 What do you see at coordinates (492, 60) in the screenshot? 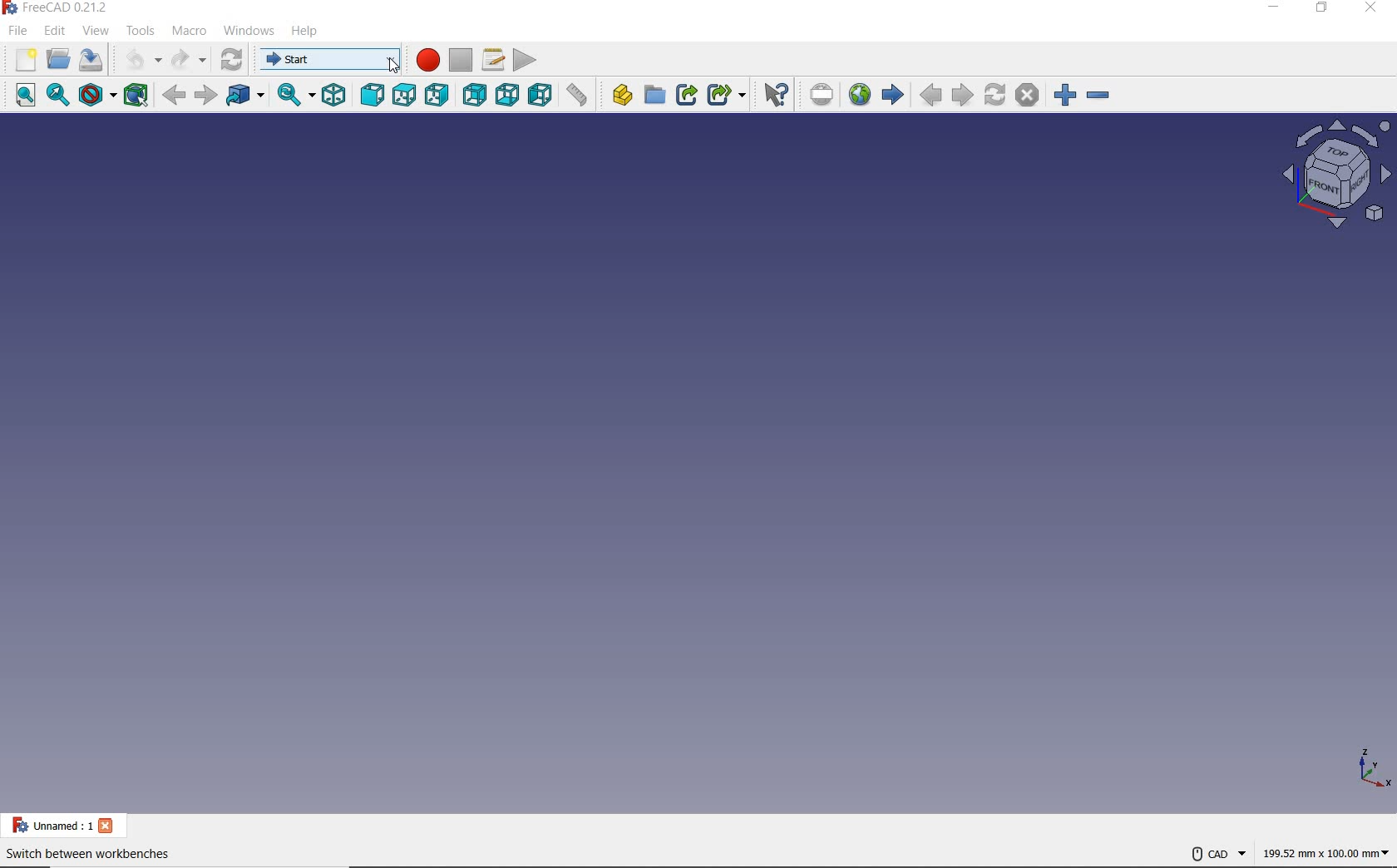
I see `MACROS` at bounding box center [492, 60].